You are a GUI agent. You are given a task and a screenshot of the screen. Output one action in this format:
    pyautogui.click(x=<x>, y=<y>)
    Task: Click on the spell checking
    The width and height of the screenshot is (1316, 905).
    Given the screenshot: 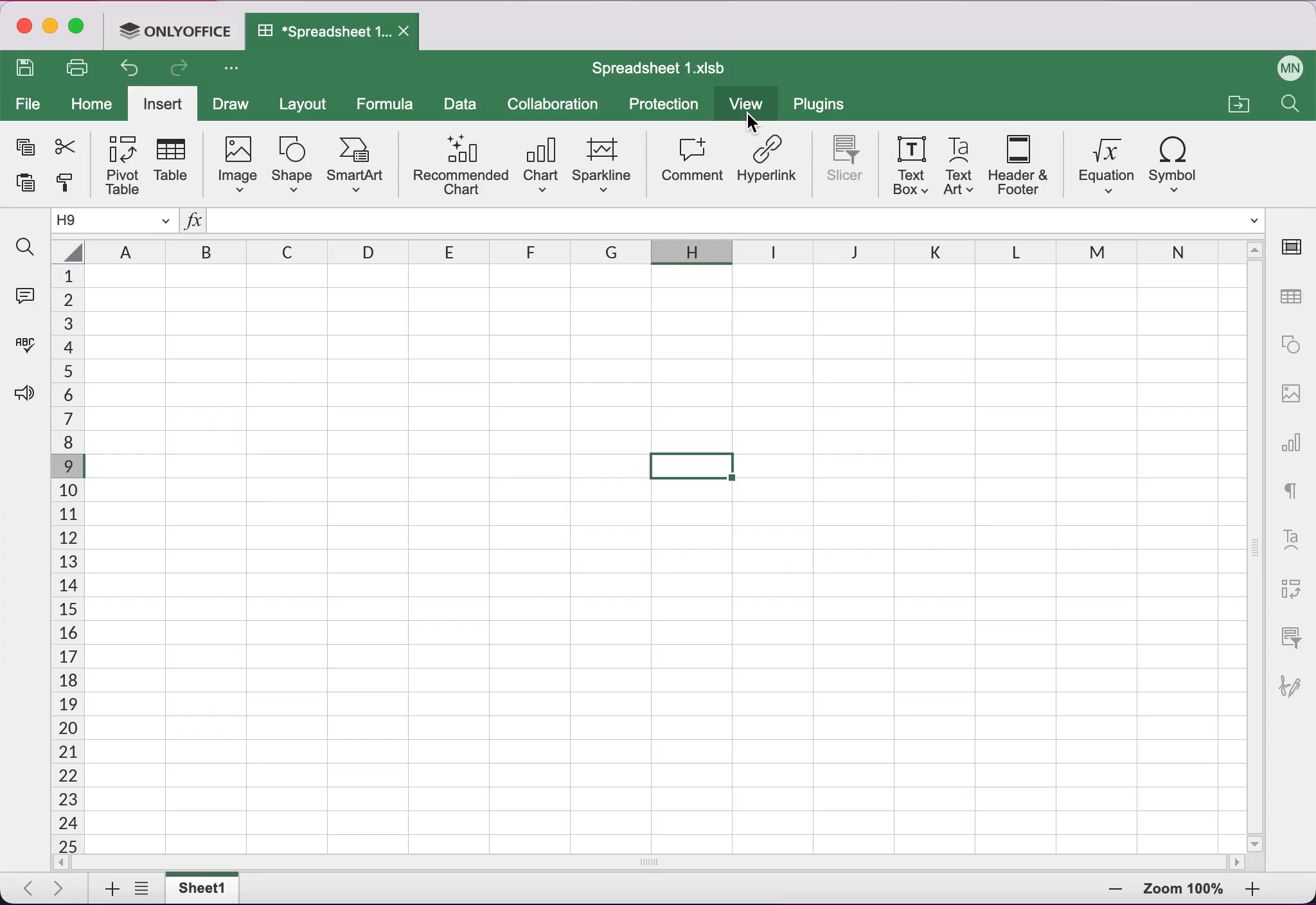 What is the action you would take?
    pyautogui.click(x=29, y=341)
    